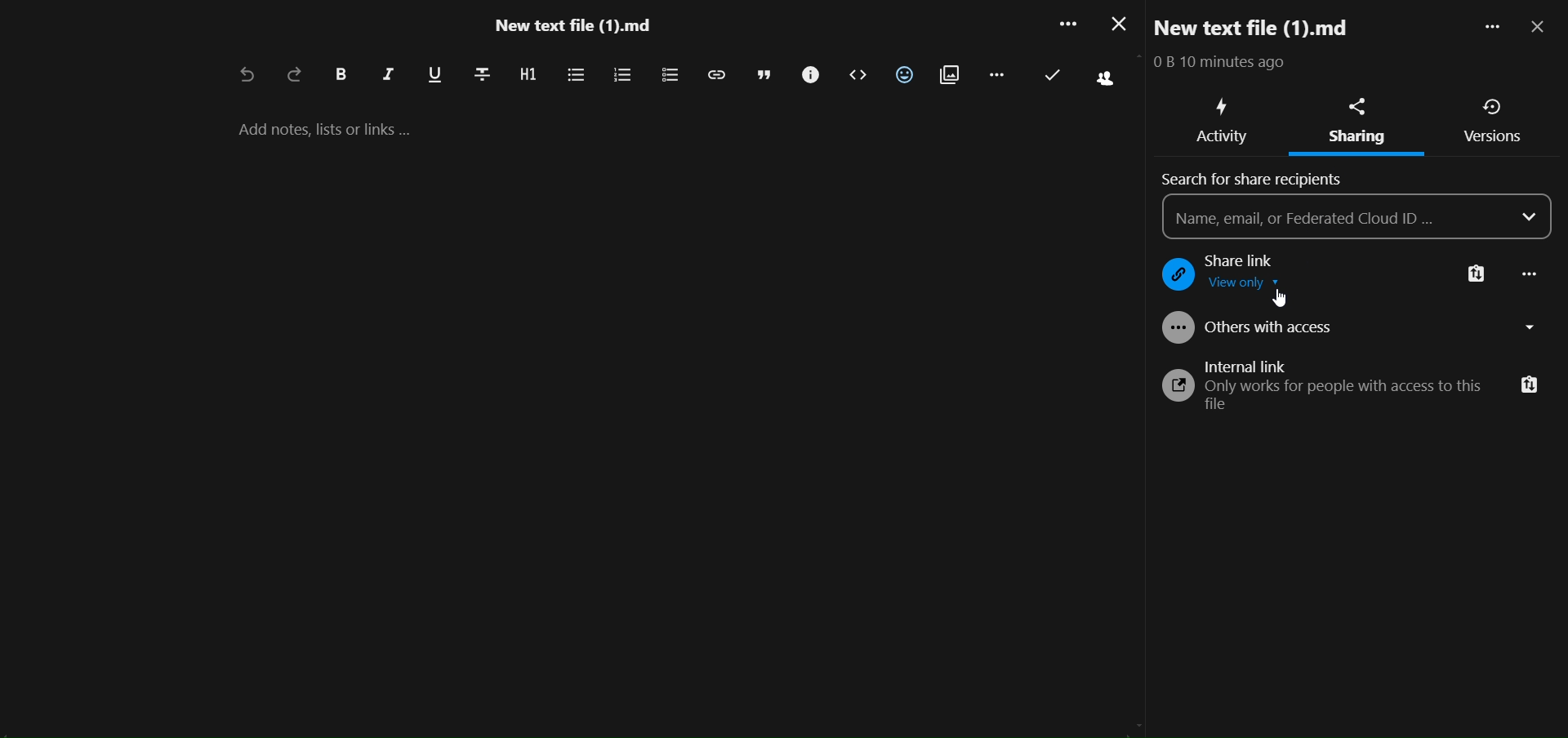  Describe the element at coordinates (1540, 28) in the screenshot. I see `close pane` at that location.